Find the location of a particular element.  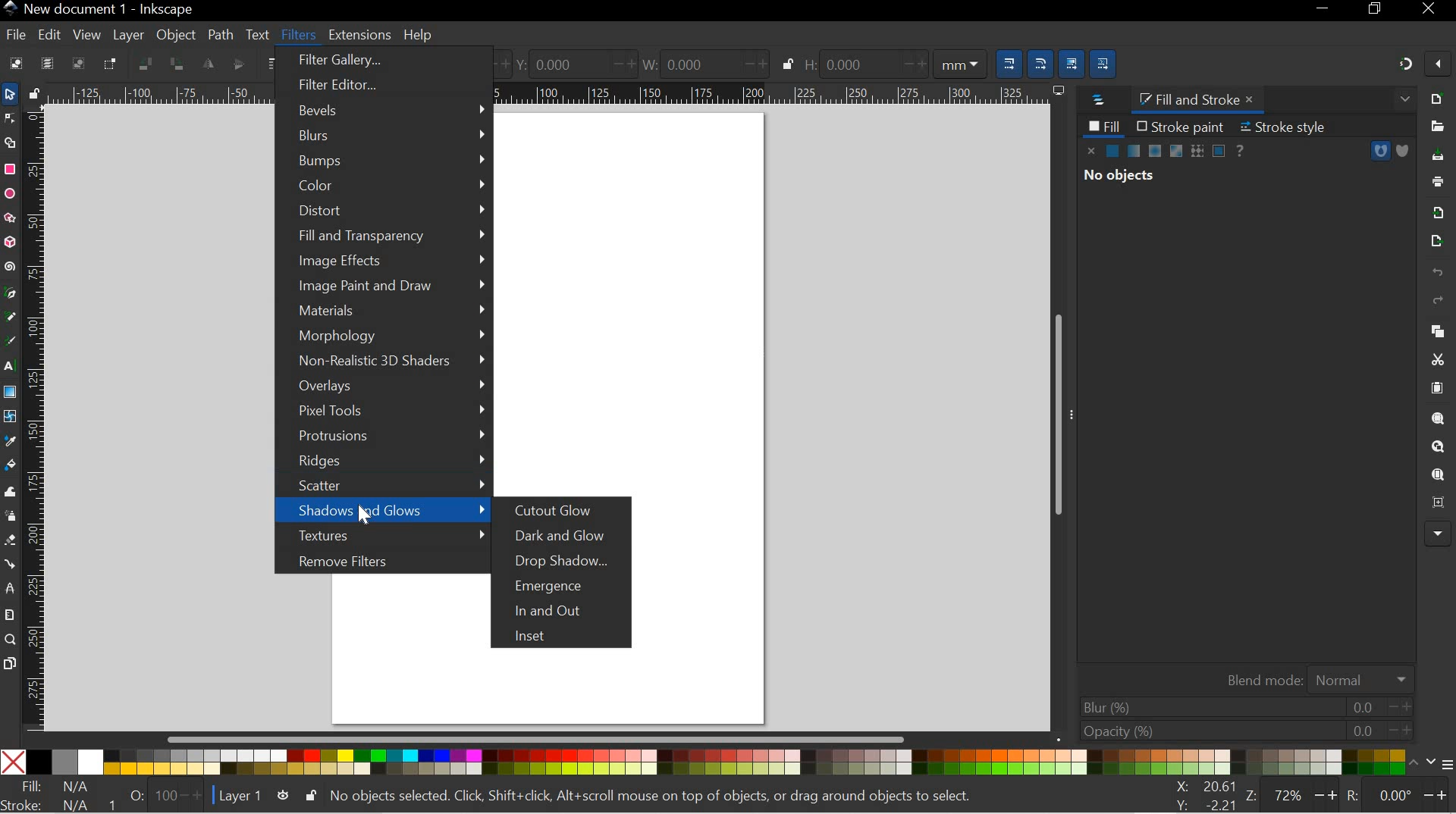

STROKE PAINT is located at coordinates (1180, 126).